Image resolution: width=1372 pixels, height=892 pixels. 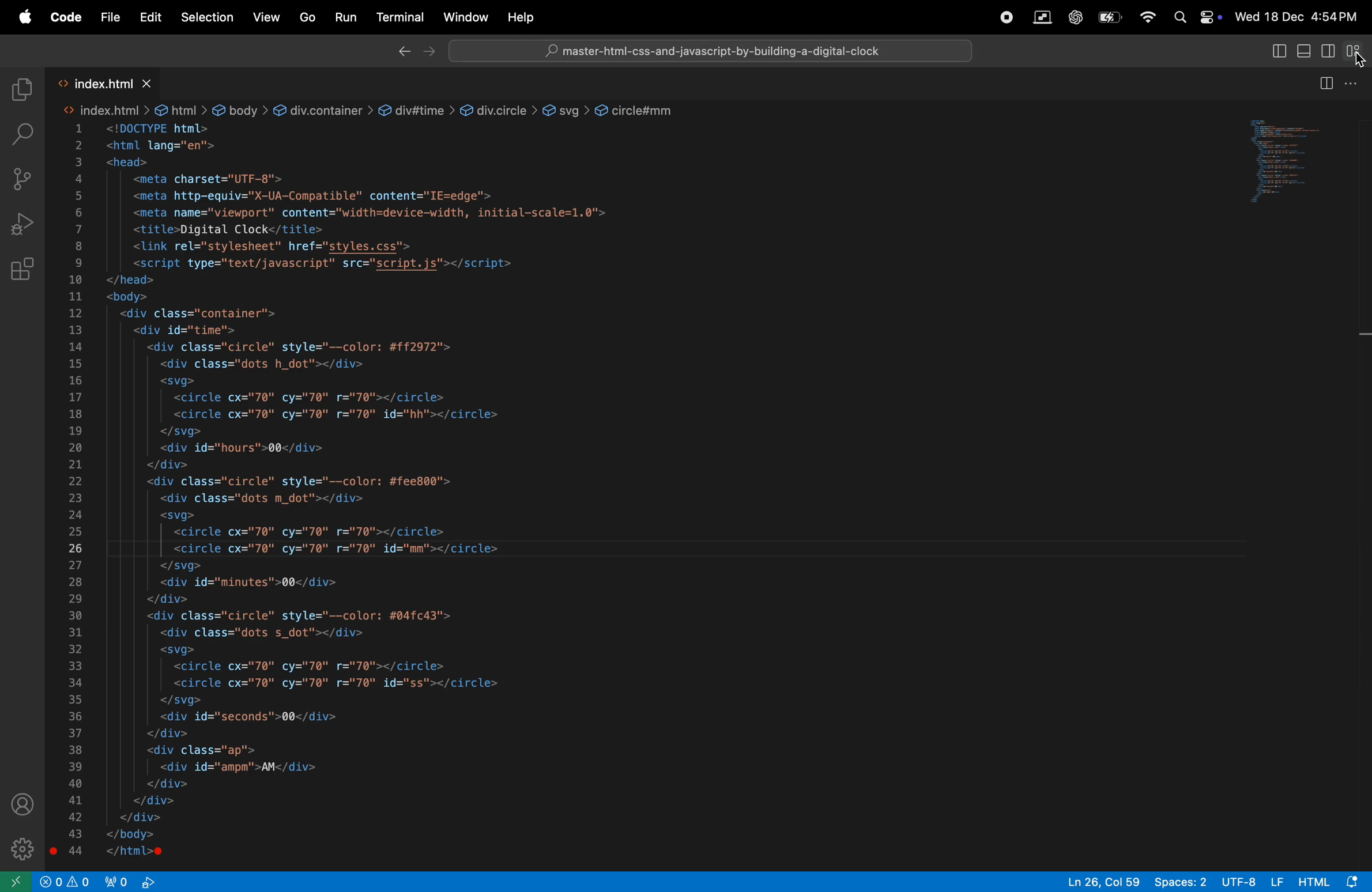 I want to click on view port, so click(x=67, y=880).